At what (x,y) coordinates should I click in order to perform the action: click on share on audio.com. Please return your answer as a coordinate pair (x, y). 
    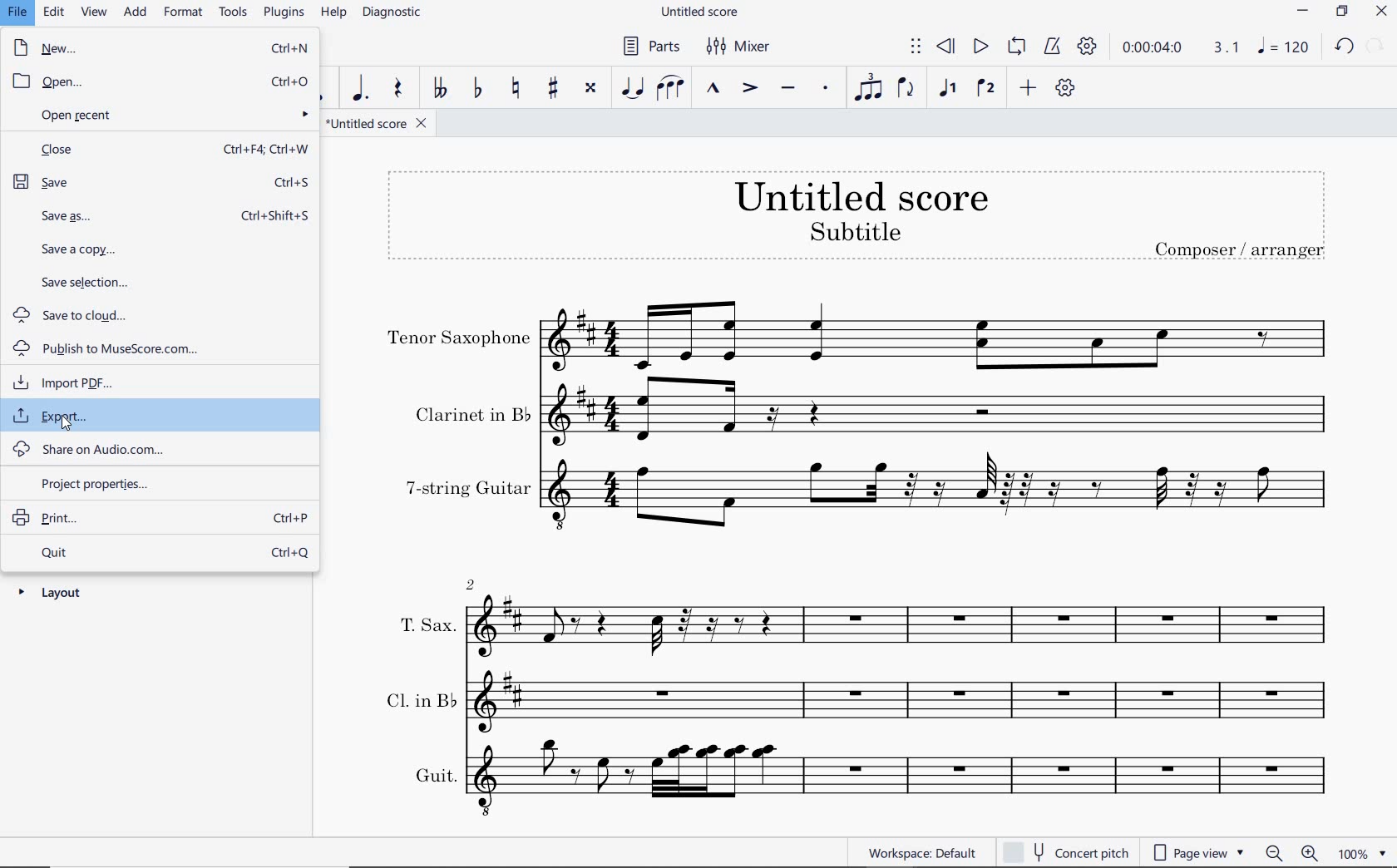
    Looking at the image, I should click on (159, 451).